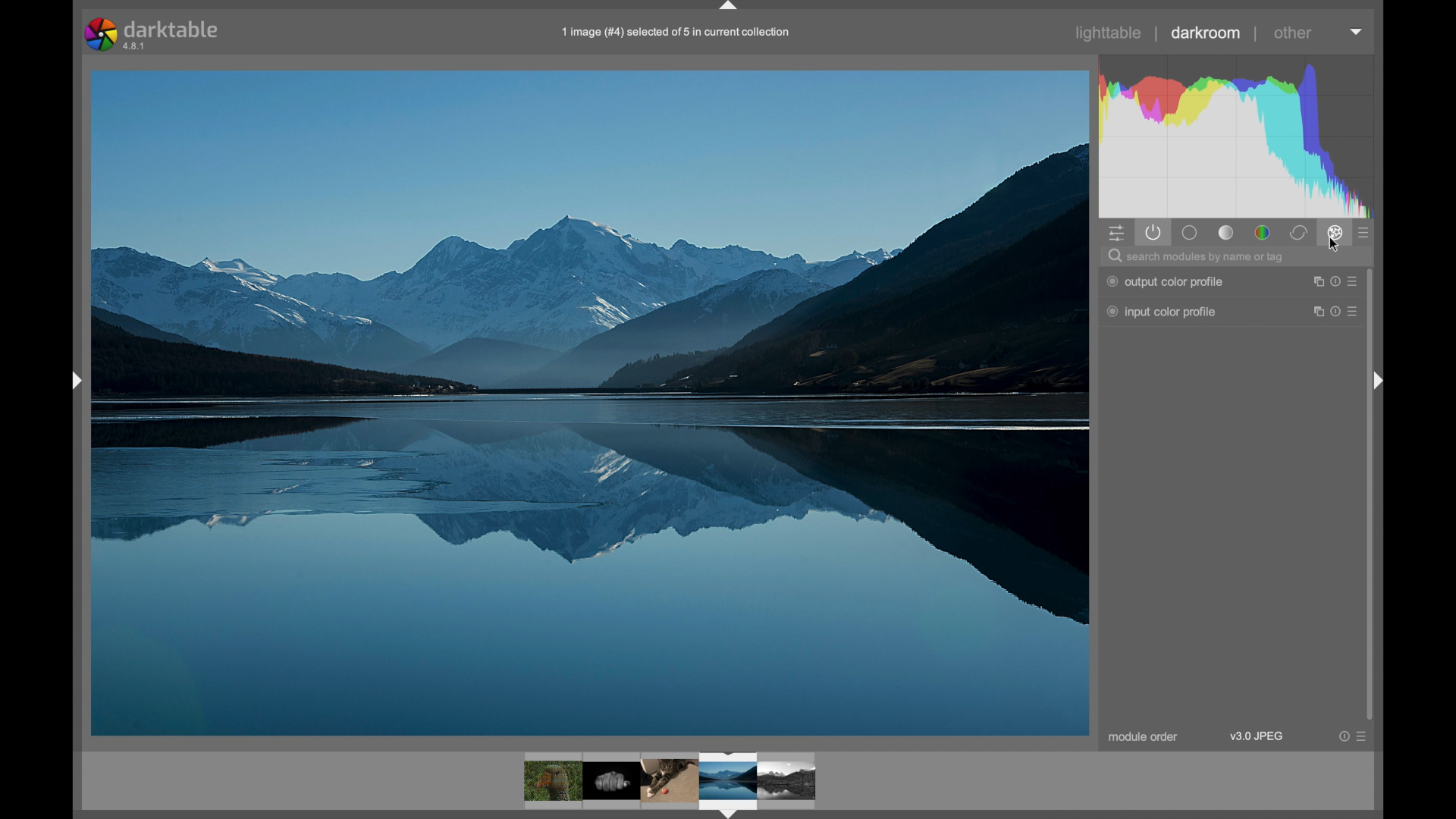  What do you see at coordinates (1109, 34) in the screenshot?
I see `lighttable` at bounding box center [1109, 34].